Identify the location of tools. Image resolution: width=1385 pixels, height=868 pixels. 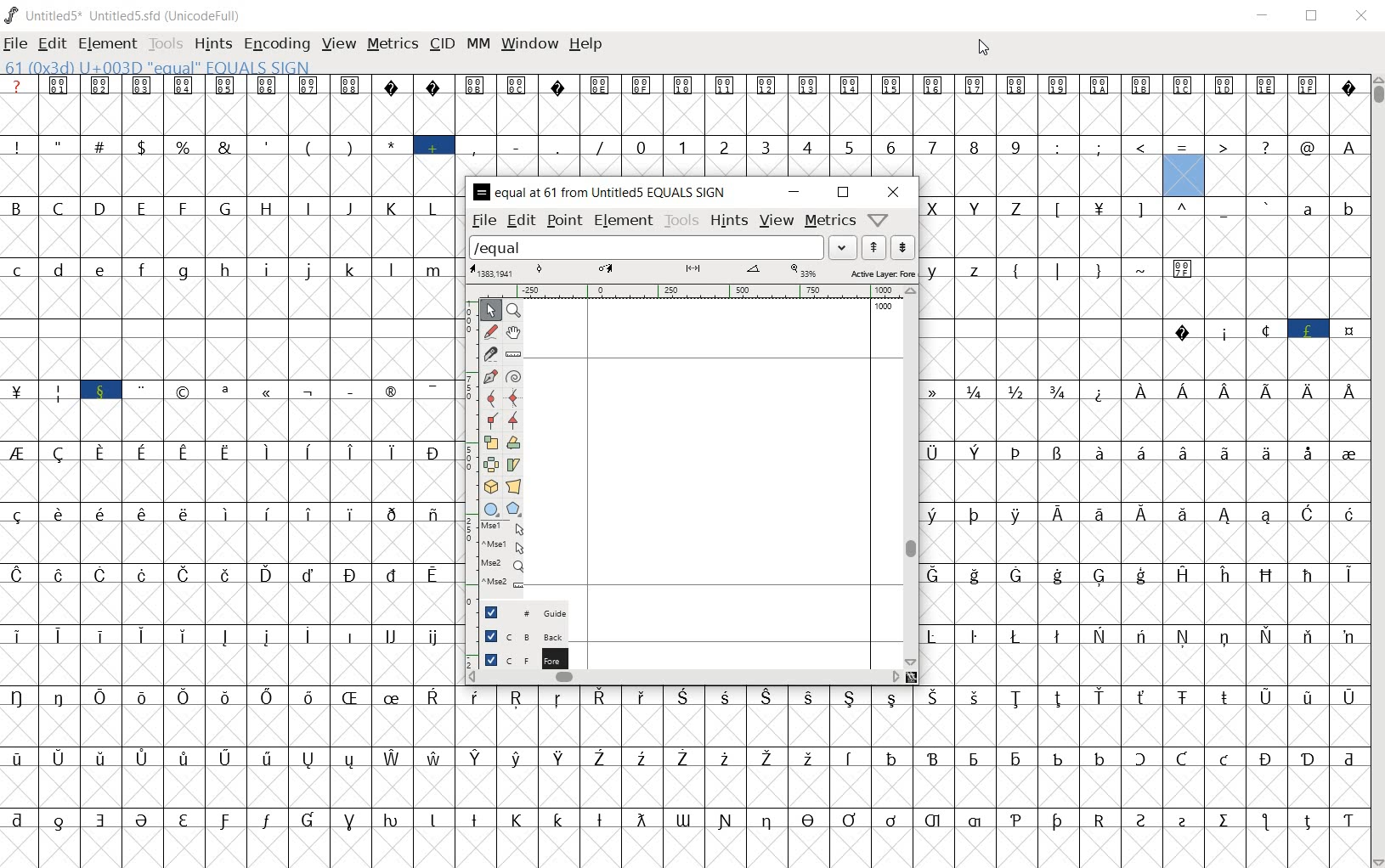
(164, 42).